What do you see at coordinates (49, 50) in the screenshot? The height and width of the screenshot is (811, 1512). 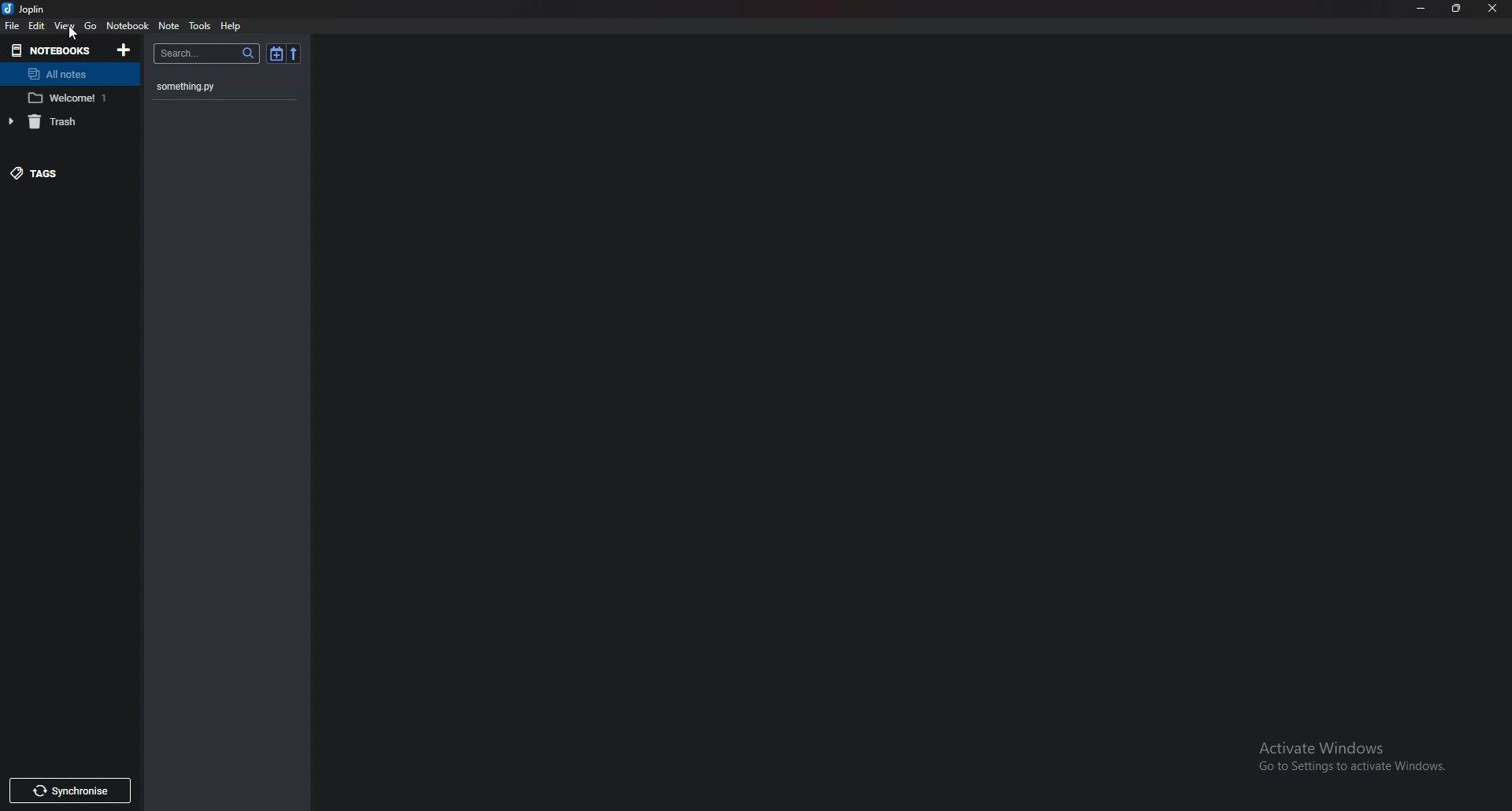 I see `Notebook` at bounding box center [49, 50].